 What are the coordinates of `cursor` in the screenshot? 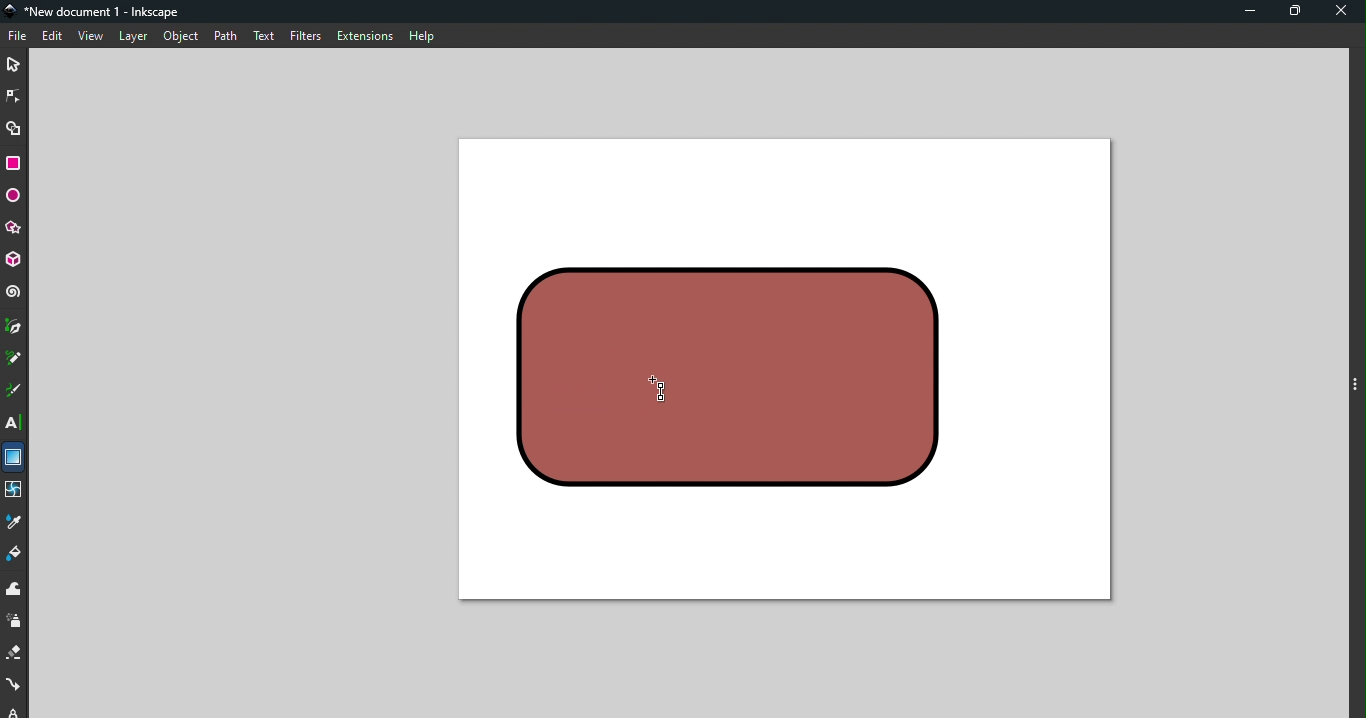 It's located at (659, 392).